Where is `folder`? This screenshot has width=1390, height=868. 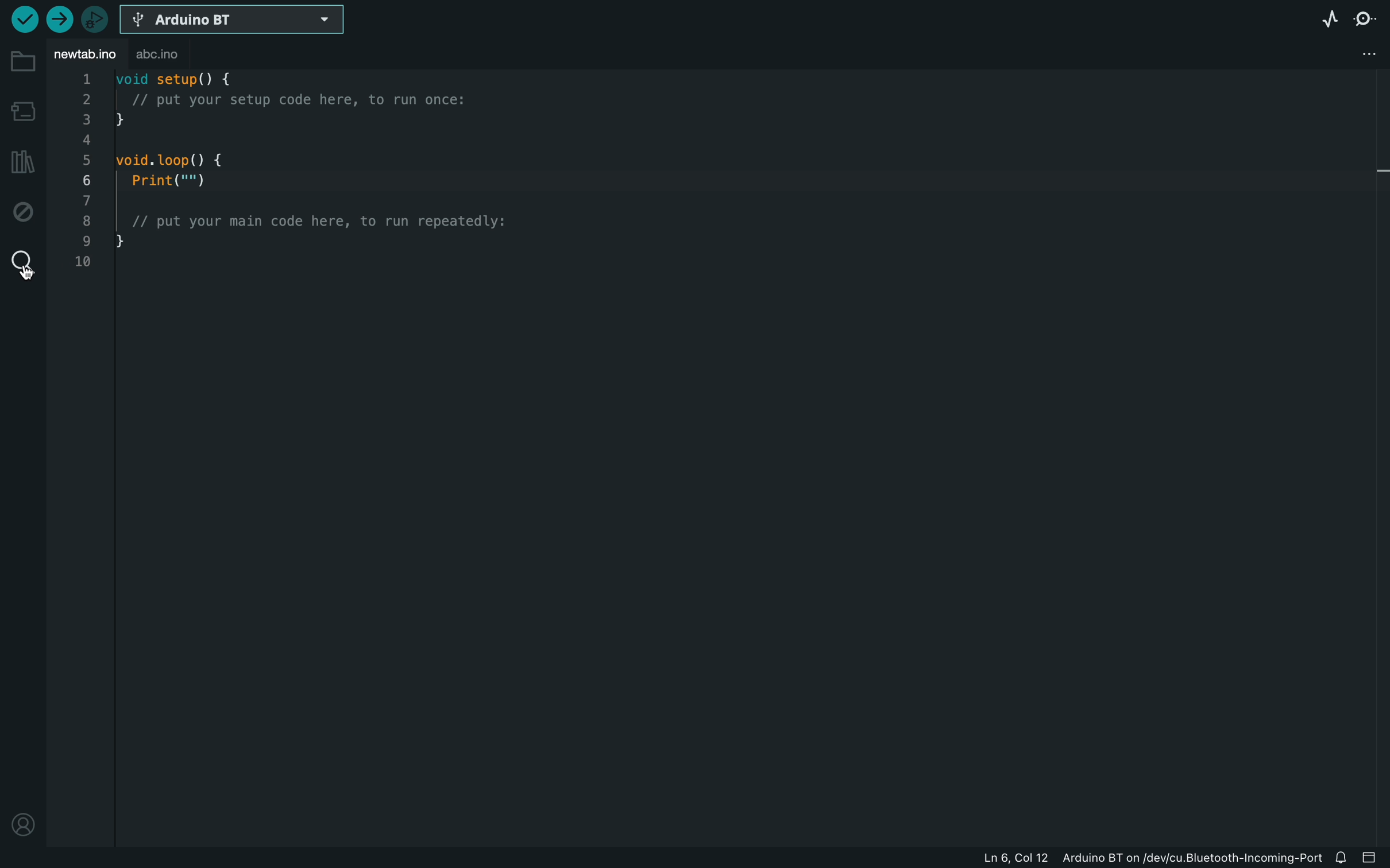
folder is located at coordinates (24, 62).